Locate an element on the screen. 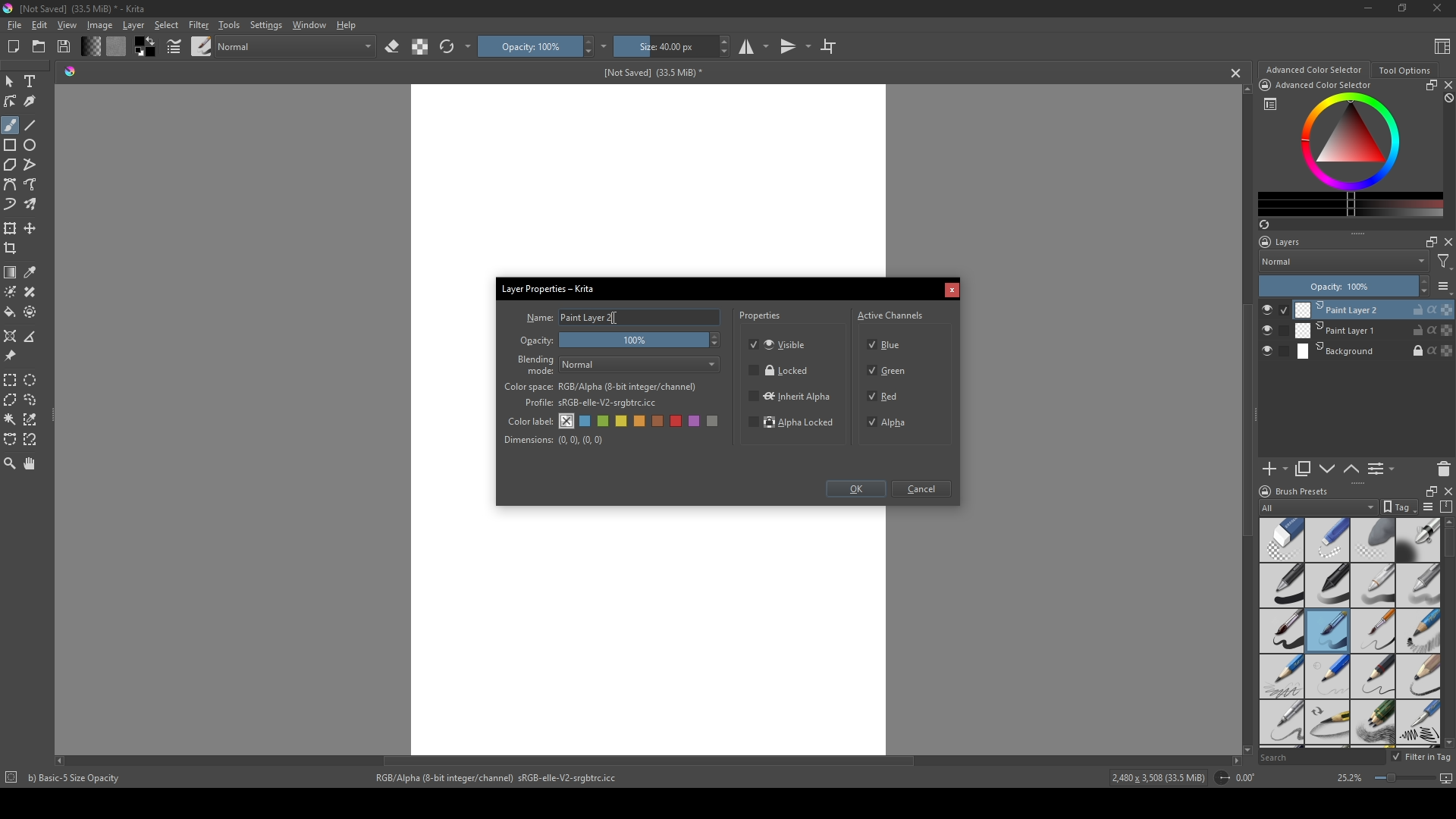 The width and height of the screenshot is (1456, 819). transitions is located at coordinates (795, 47).